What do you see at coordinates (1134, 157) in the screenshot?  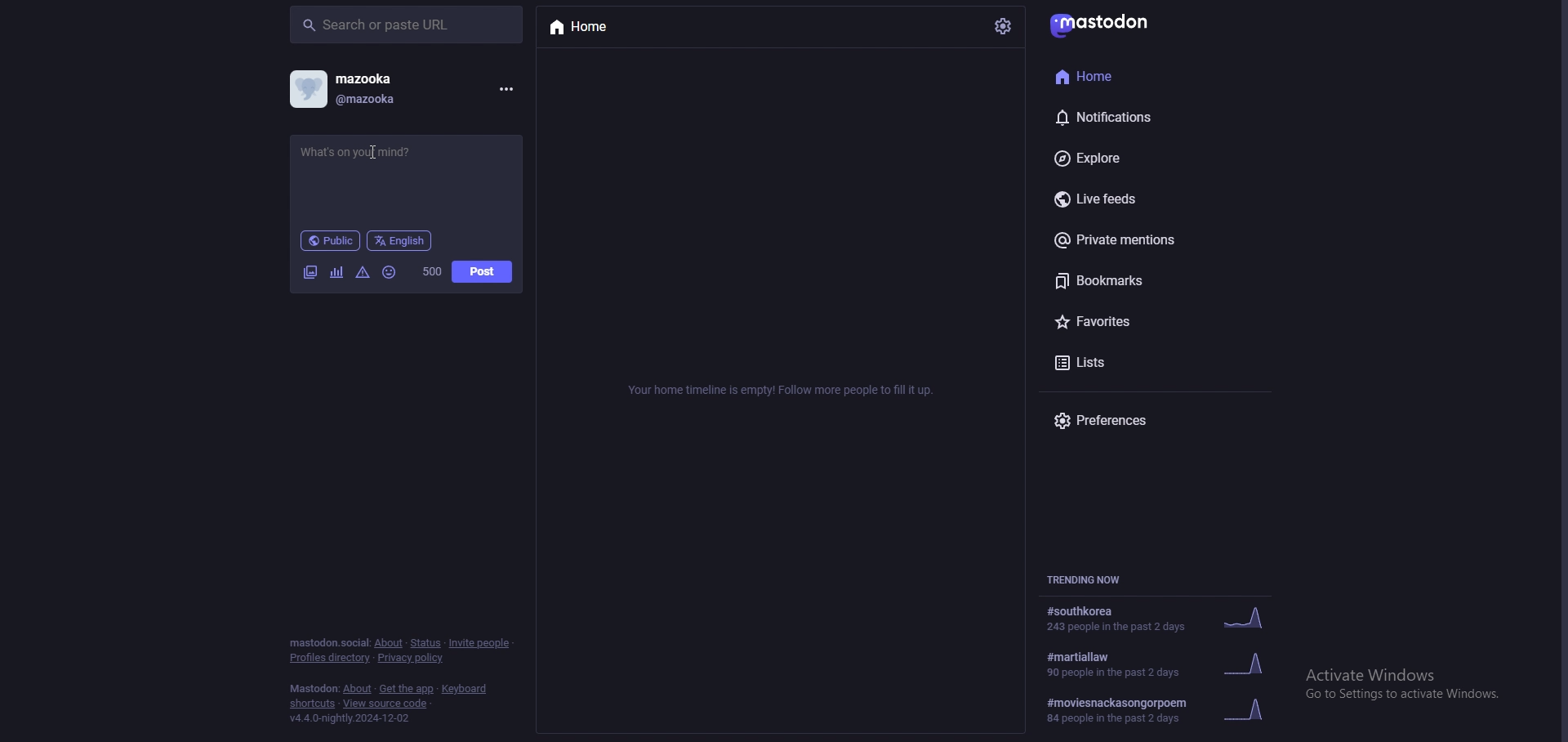 I see `explore` at bounding box center [1134, 157].